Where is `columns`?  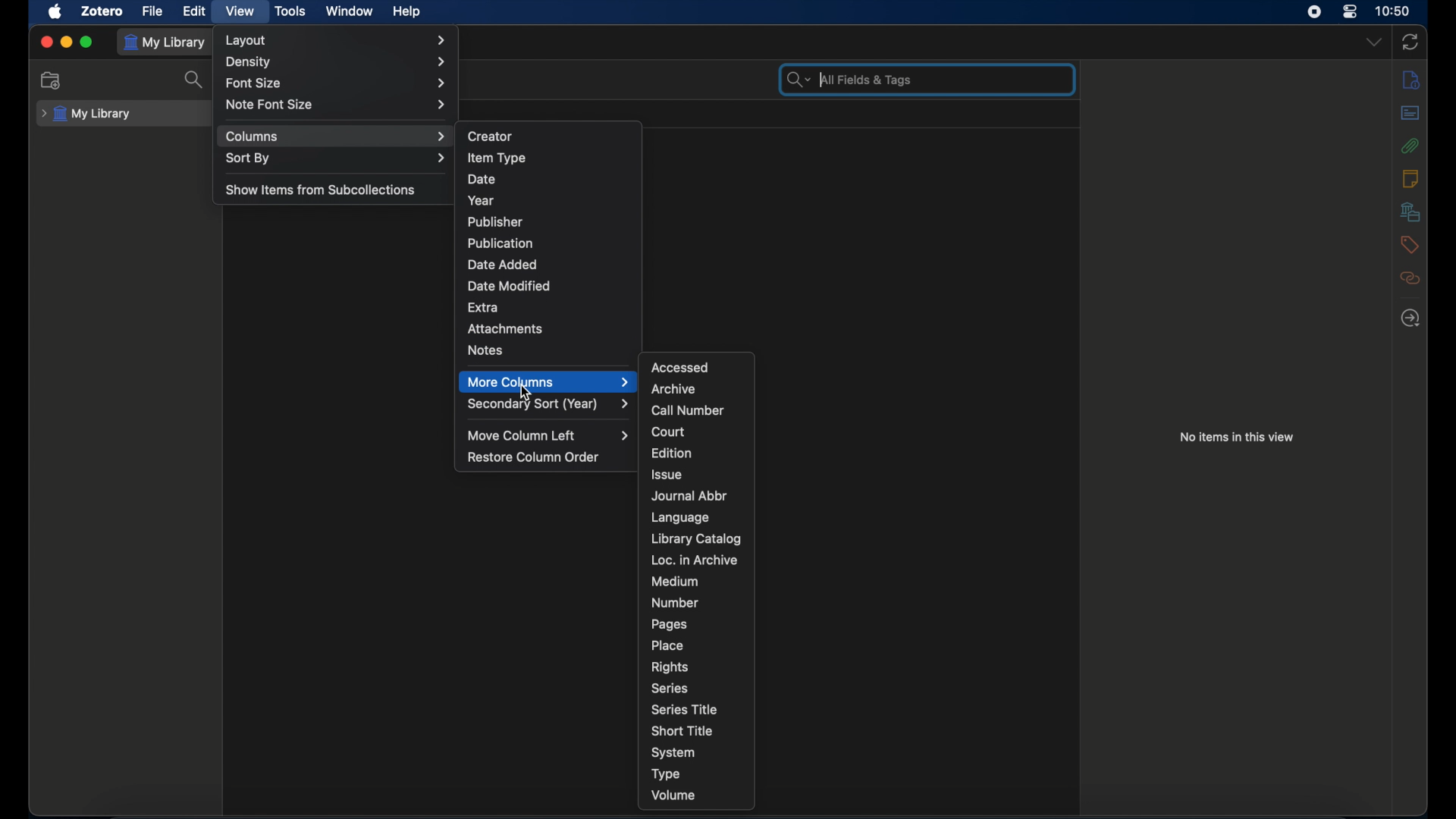 columns is located at coordinates (336, 137).